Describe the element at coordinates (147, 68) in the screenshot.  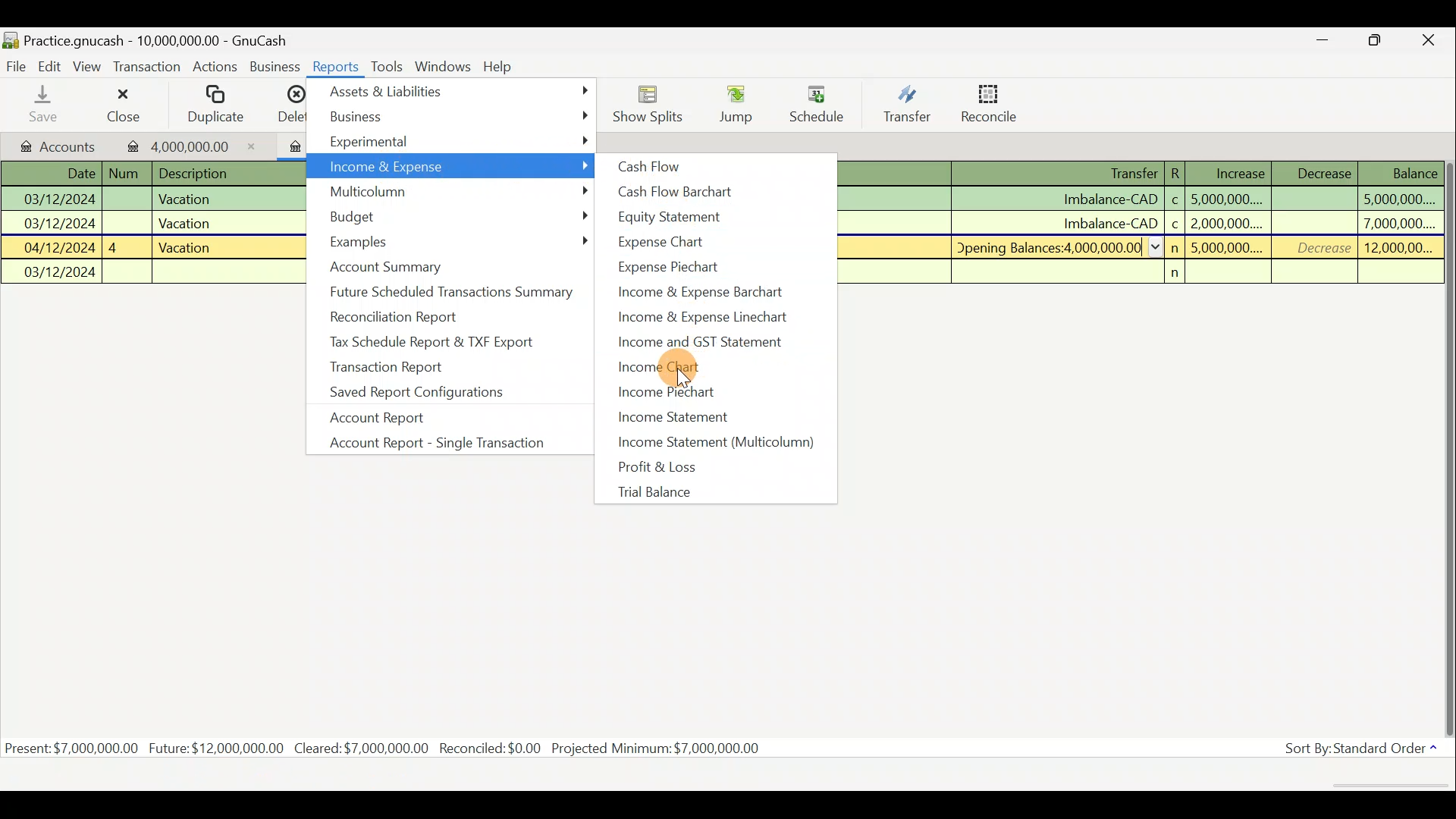
I see `Transaction` at that location.